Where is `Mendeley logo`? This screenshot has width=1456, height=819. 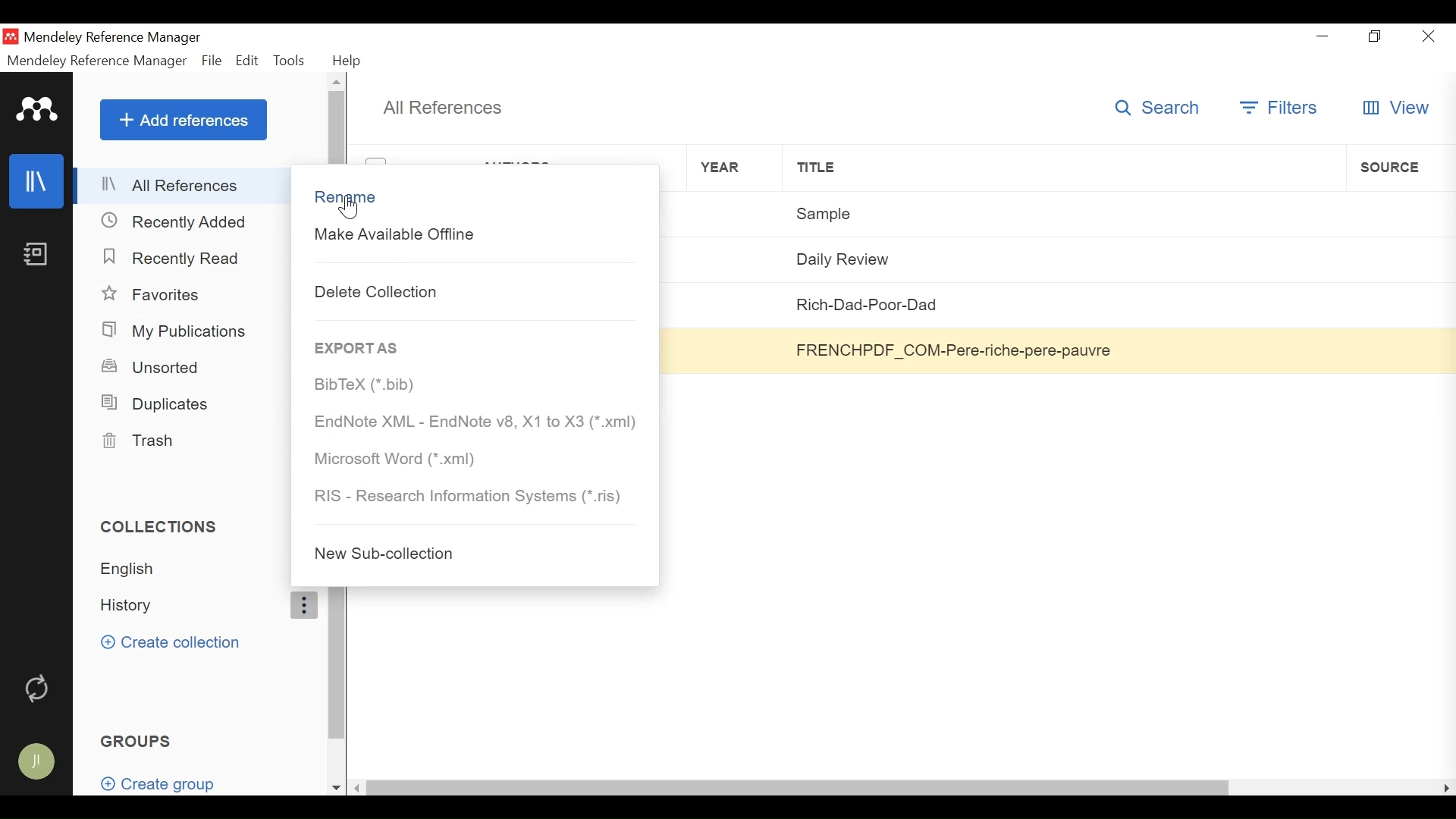
Mendeley logo is located at coordinates (37, 110).